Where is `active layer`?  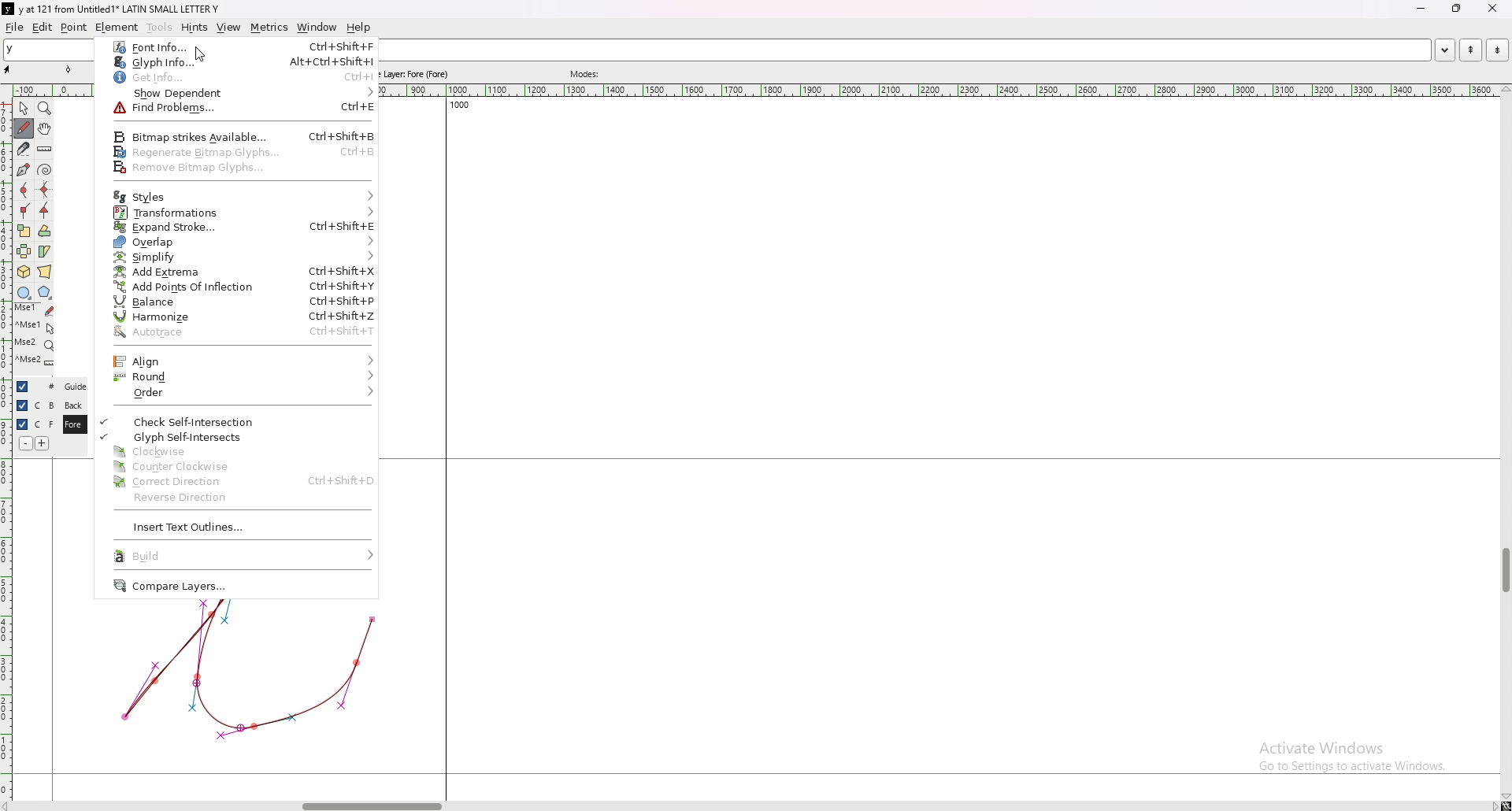
active layer is located at coordinates (421, 74).